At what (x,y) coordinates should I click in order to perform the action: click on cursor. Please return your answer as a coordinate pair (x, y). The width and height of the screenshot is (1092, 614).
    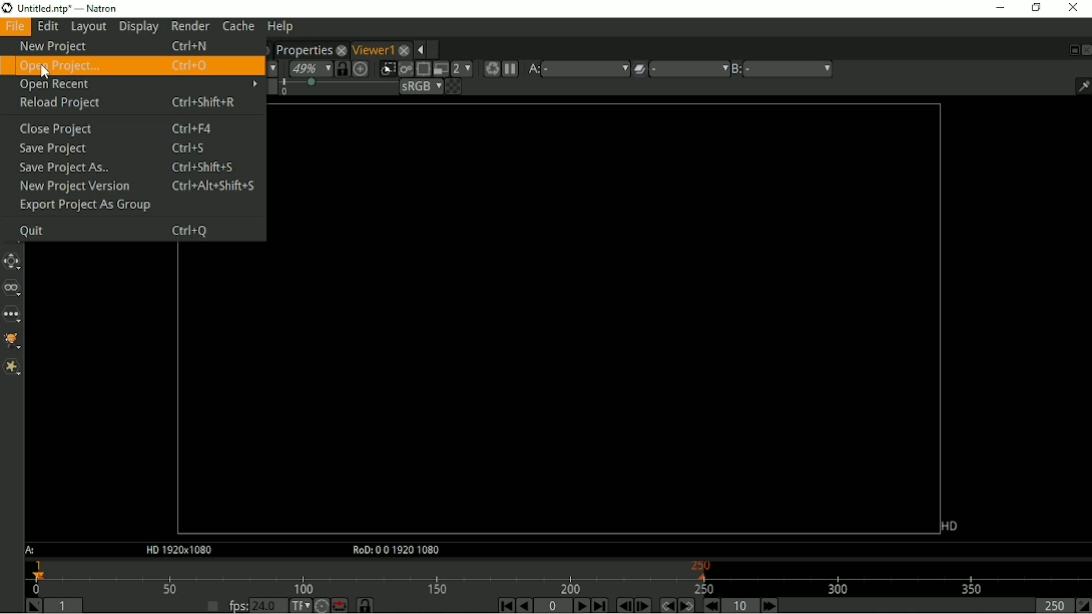
    Looking at the image, I should click on (48, 72).